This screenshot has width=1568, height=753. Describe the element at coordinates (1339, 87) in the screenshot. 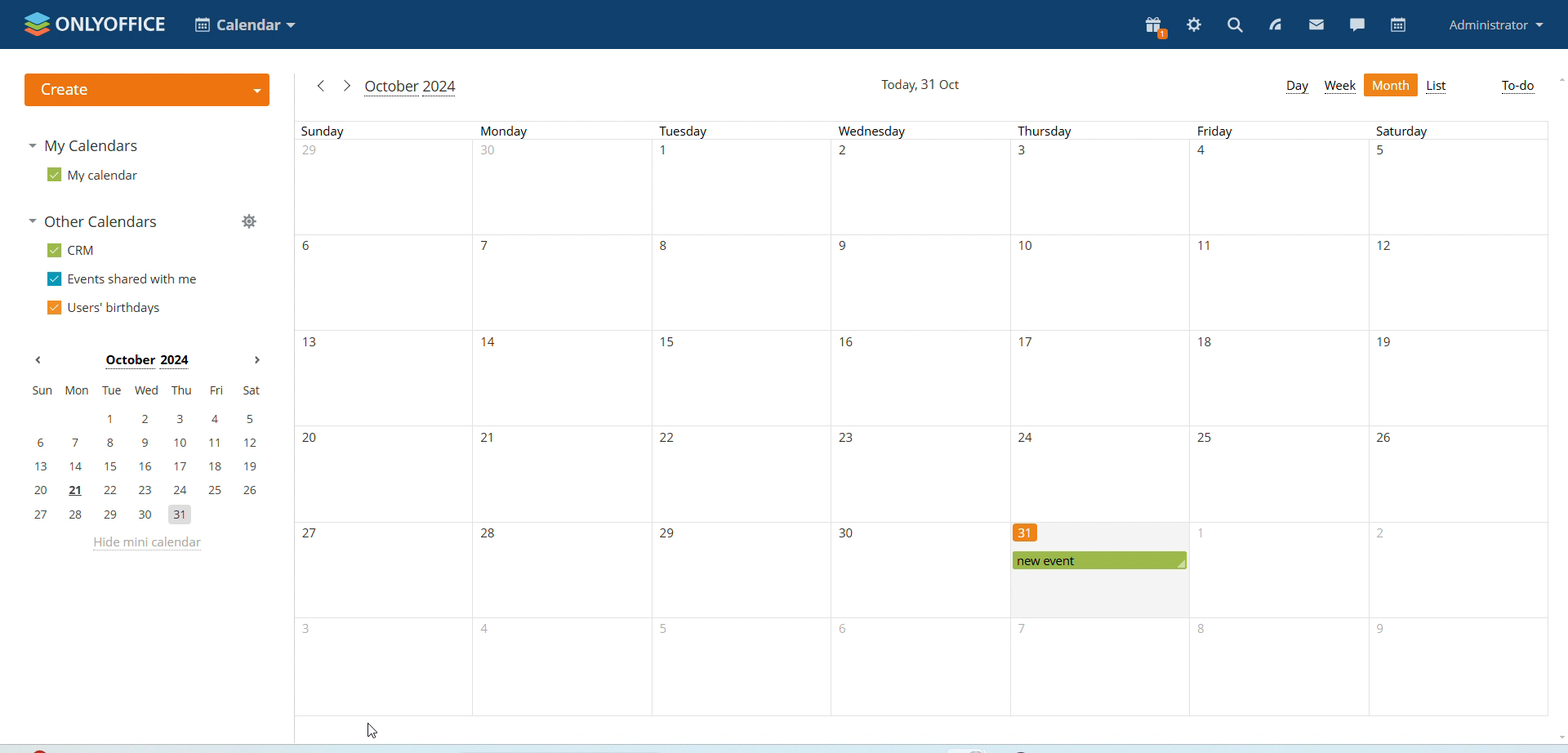

I see `week view` at that location.